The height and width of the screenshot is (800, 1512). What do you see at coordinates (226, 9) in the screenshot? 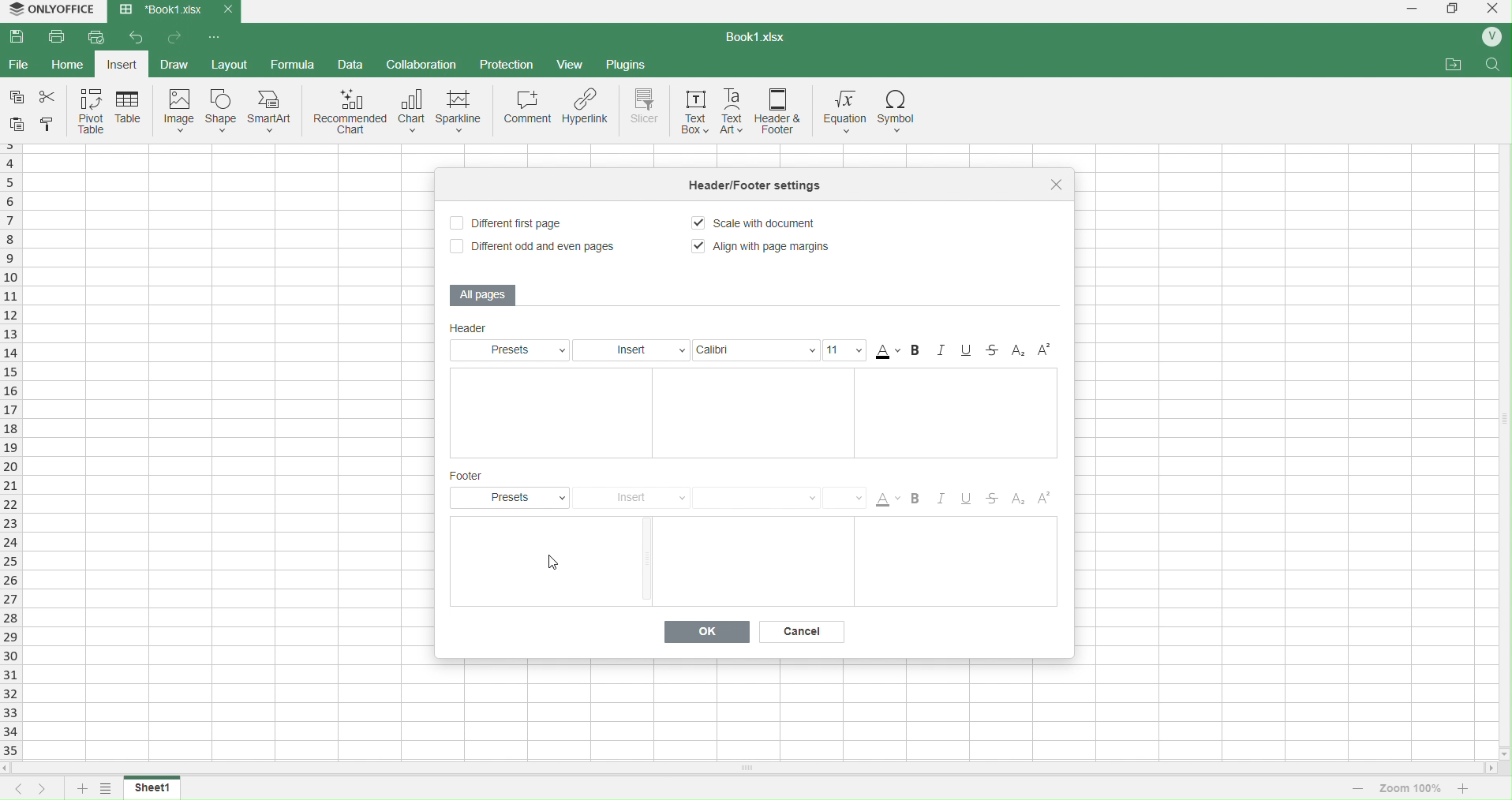
I see `close current tab` at bounding box center [226, 9].